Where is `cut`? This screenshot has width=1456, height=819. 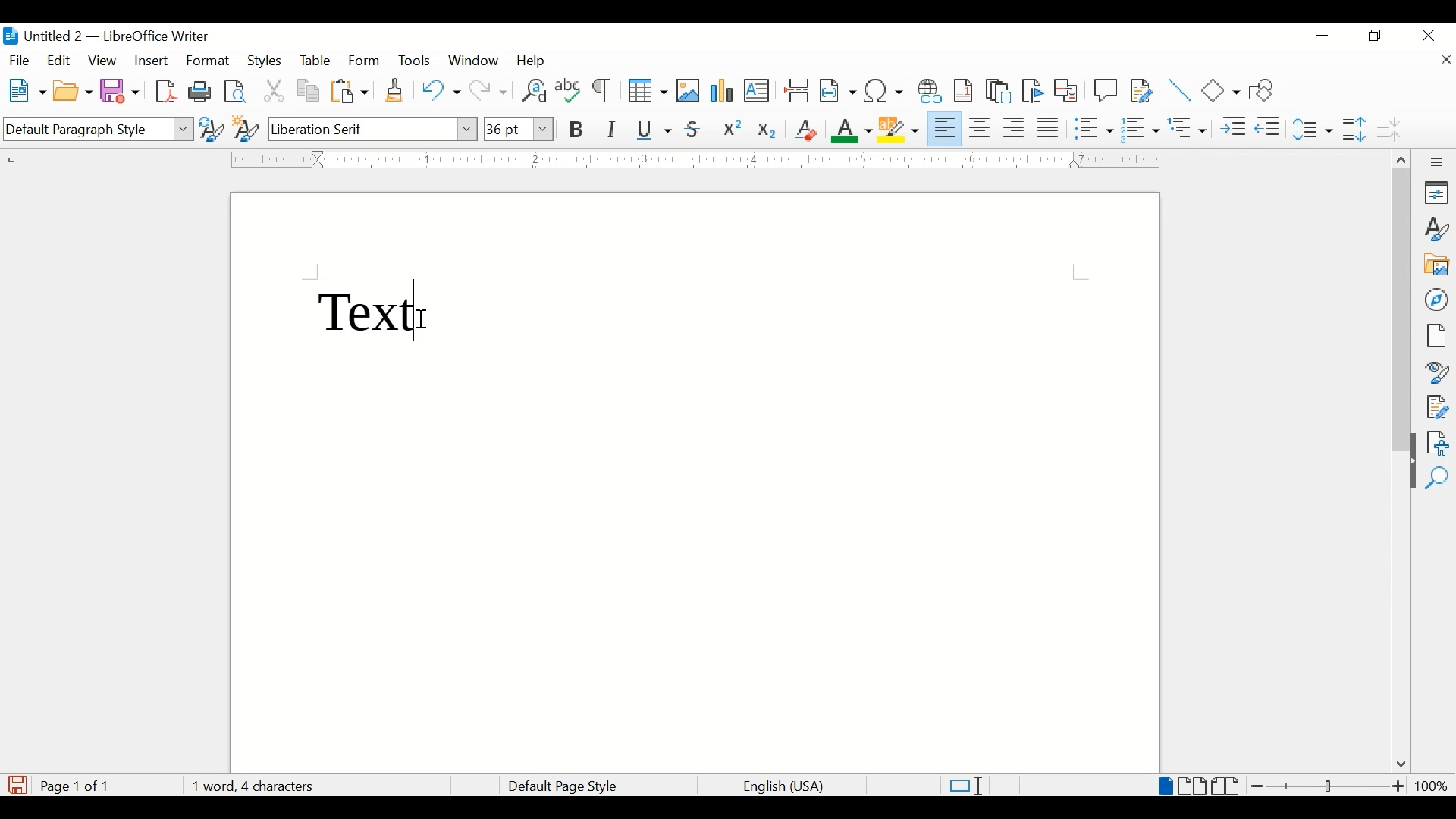 cut is located at coordinates (275, 90).